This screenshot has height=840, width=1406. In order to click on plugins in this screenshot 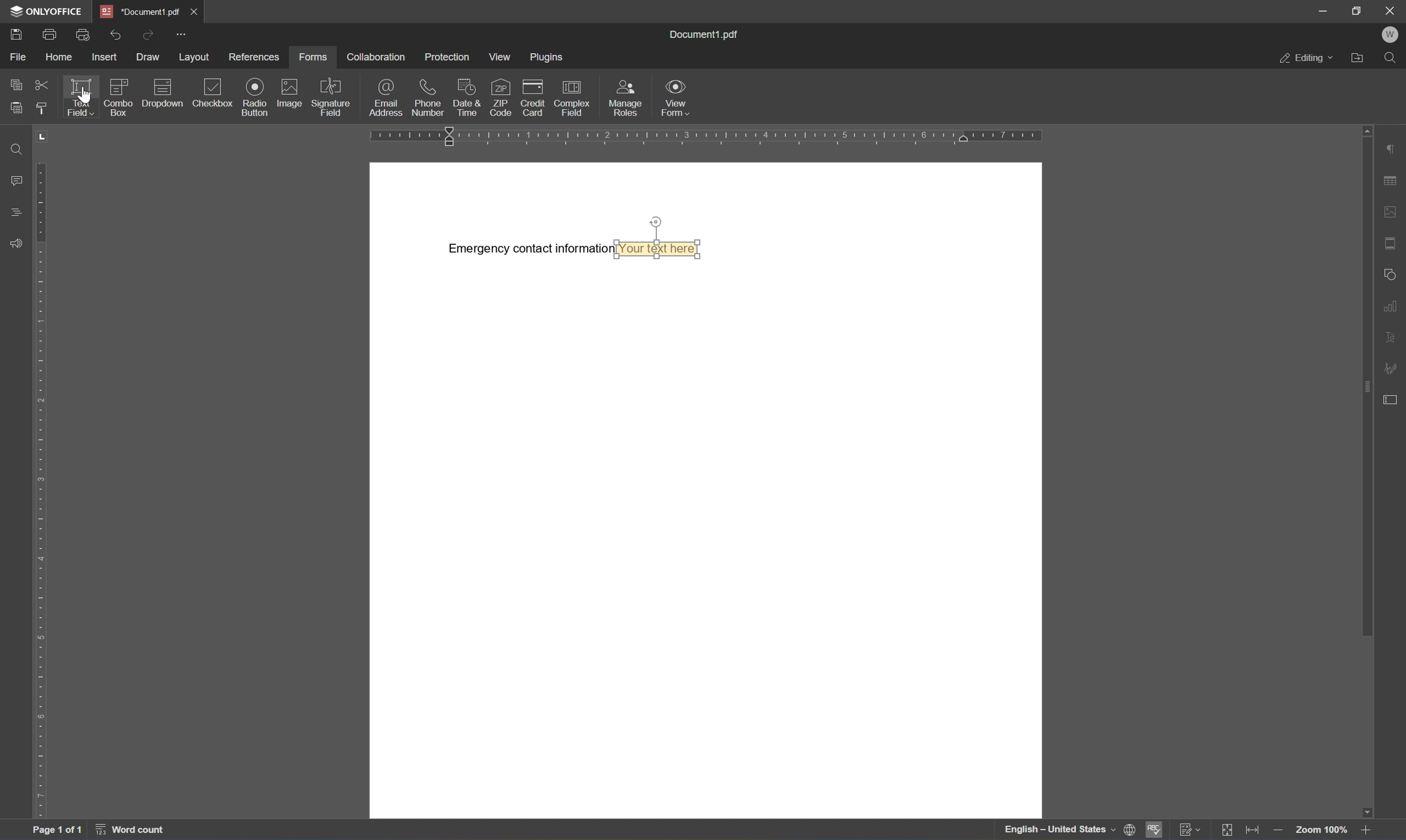, I will do `click(545, 58)`.